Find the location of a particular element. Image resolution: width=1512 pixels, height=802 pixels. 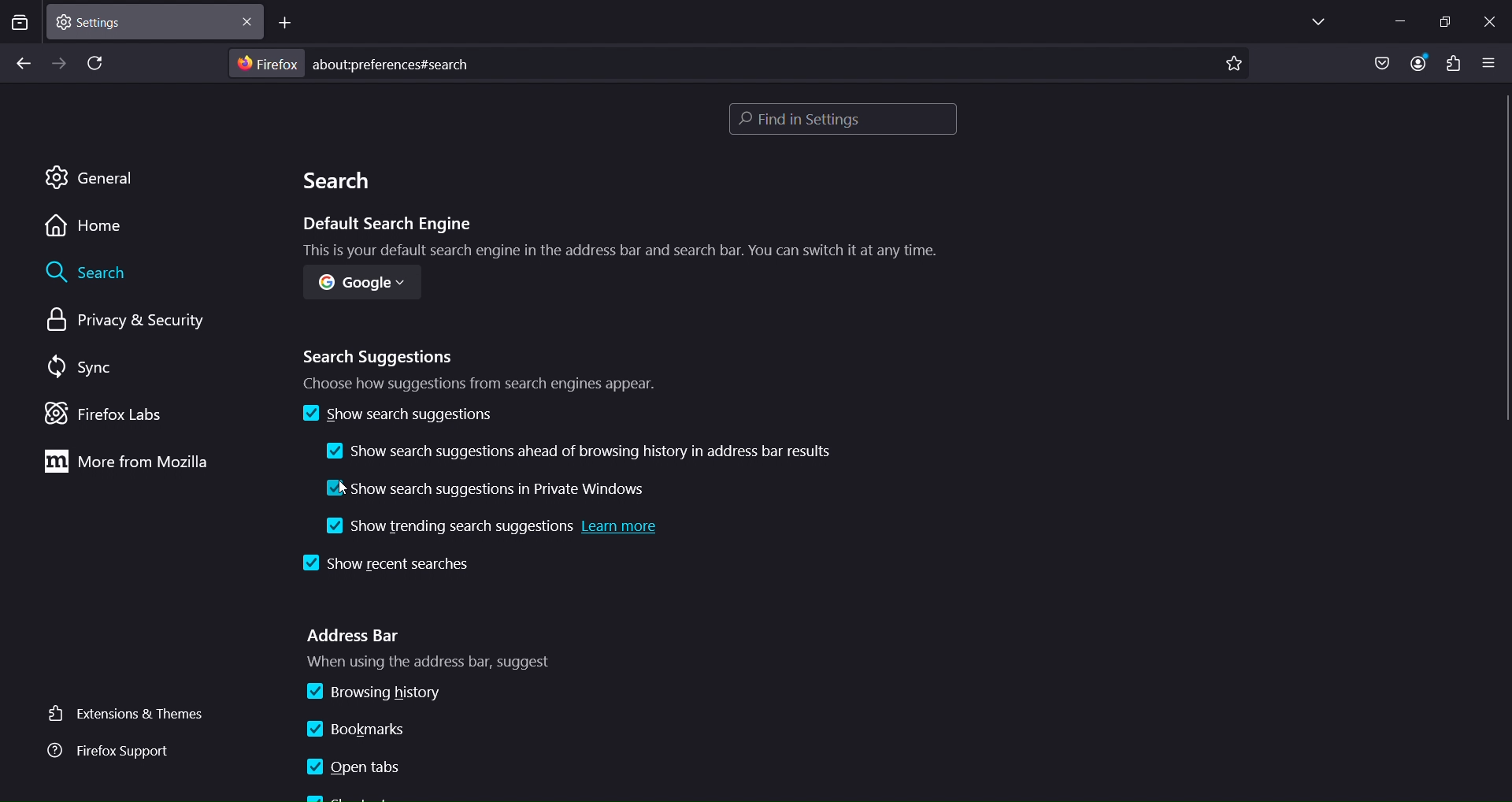

how trending search suggestions is located at coordinates (495, 530).